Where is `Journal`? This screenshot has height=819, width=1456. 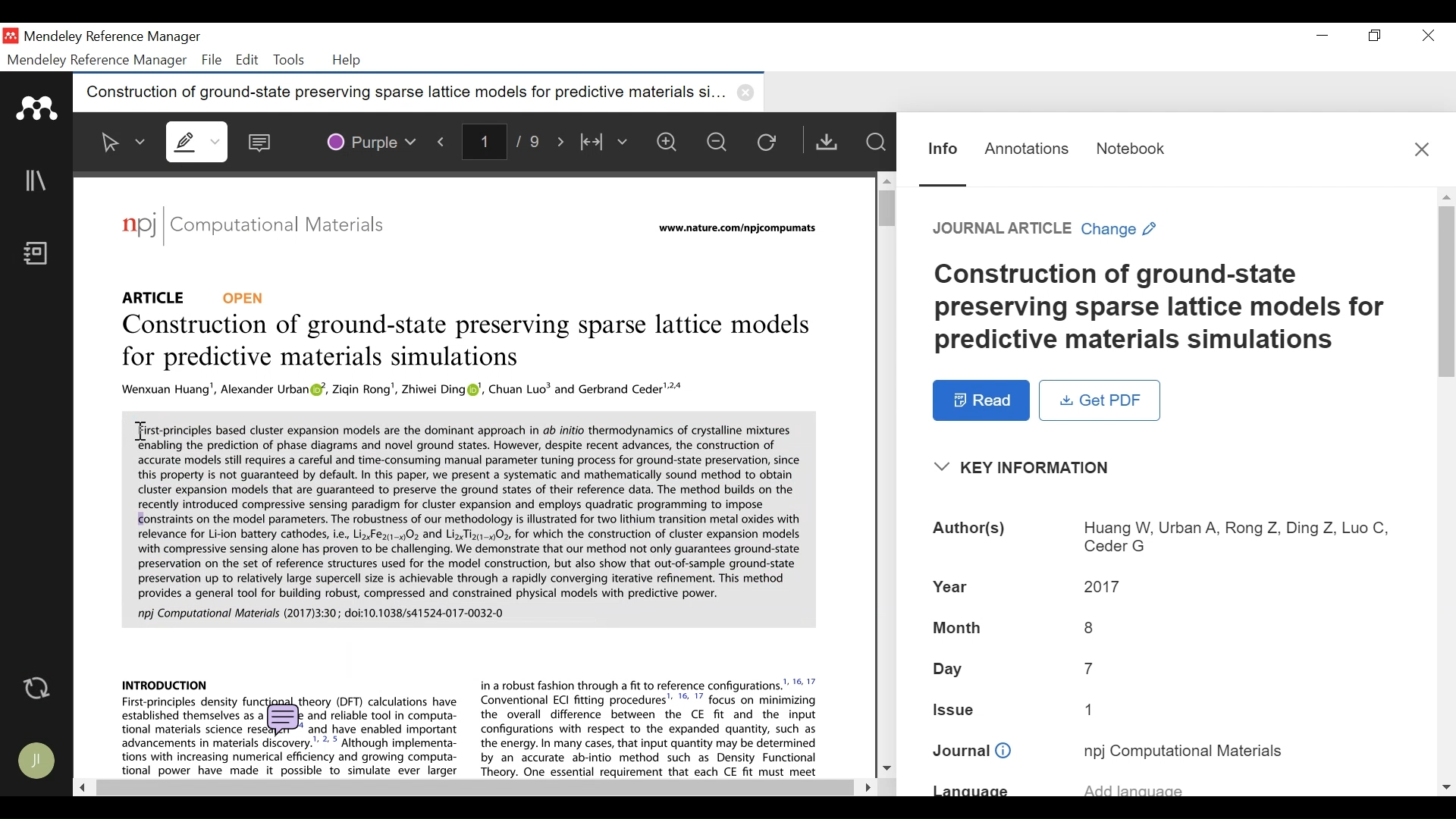 Journal is located at coordinates (972, 752).